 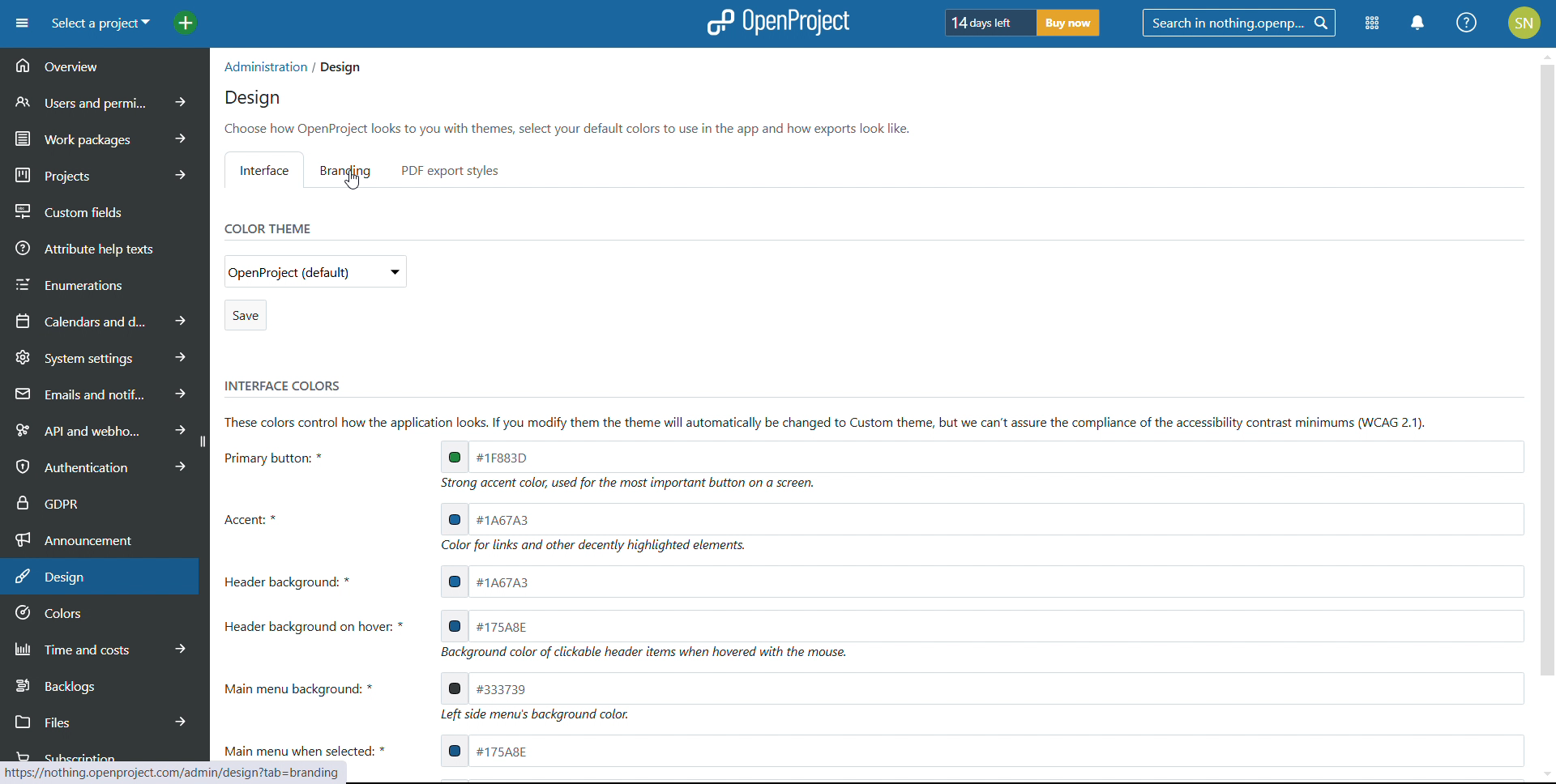 I want to click on collapse, so click(x=202, y=441).